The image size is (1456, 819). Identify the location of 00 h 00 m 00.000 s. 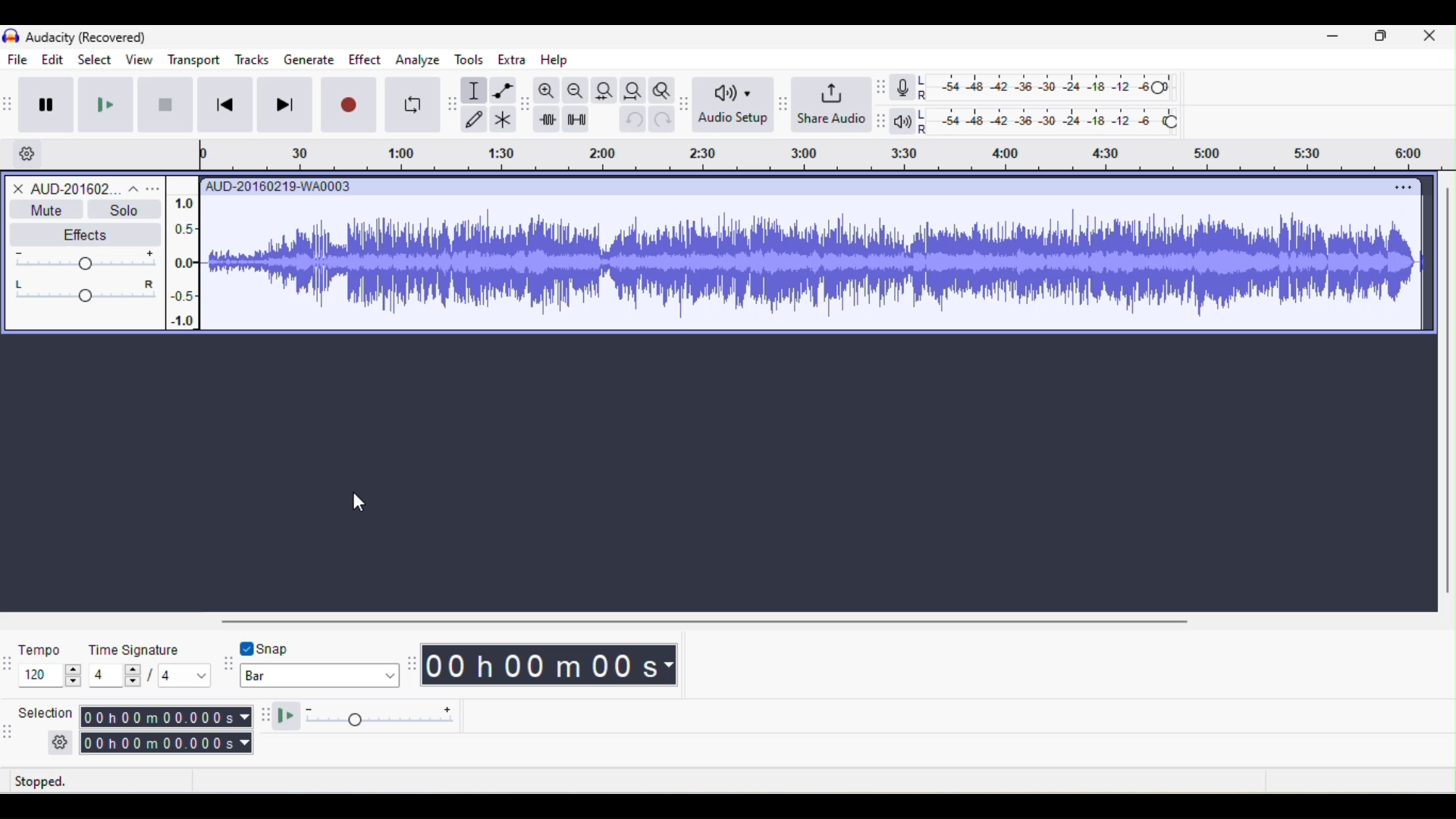
(171, 730).